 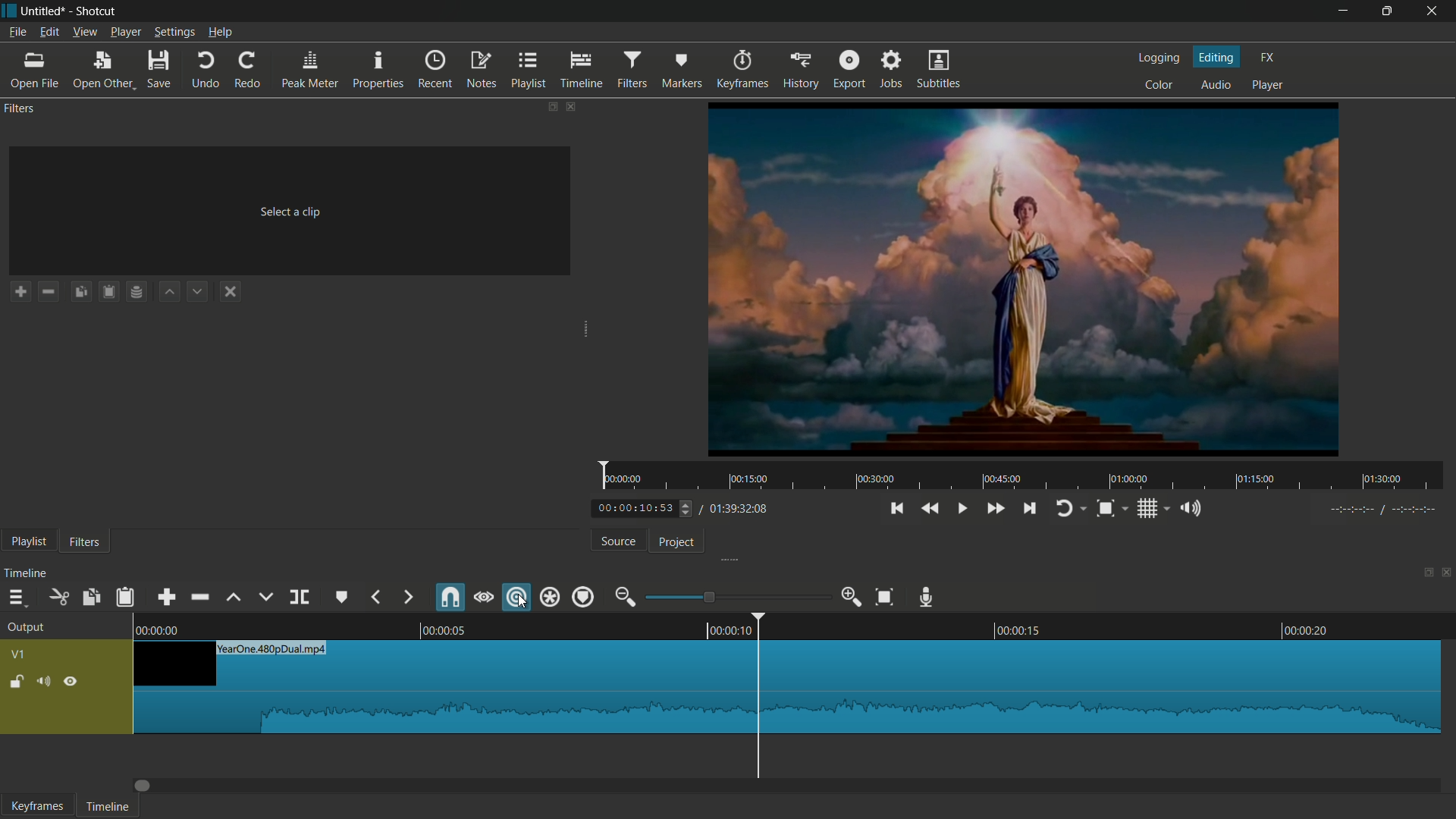 I want to click on next markers, so click(x=406, y=597).